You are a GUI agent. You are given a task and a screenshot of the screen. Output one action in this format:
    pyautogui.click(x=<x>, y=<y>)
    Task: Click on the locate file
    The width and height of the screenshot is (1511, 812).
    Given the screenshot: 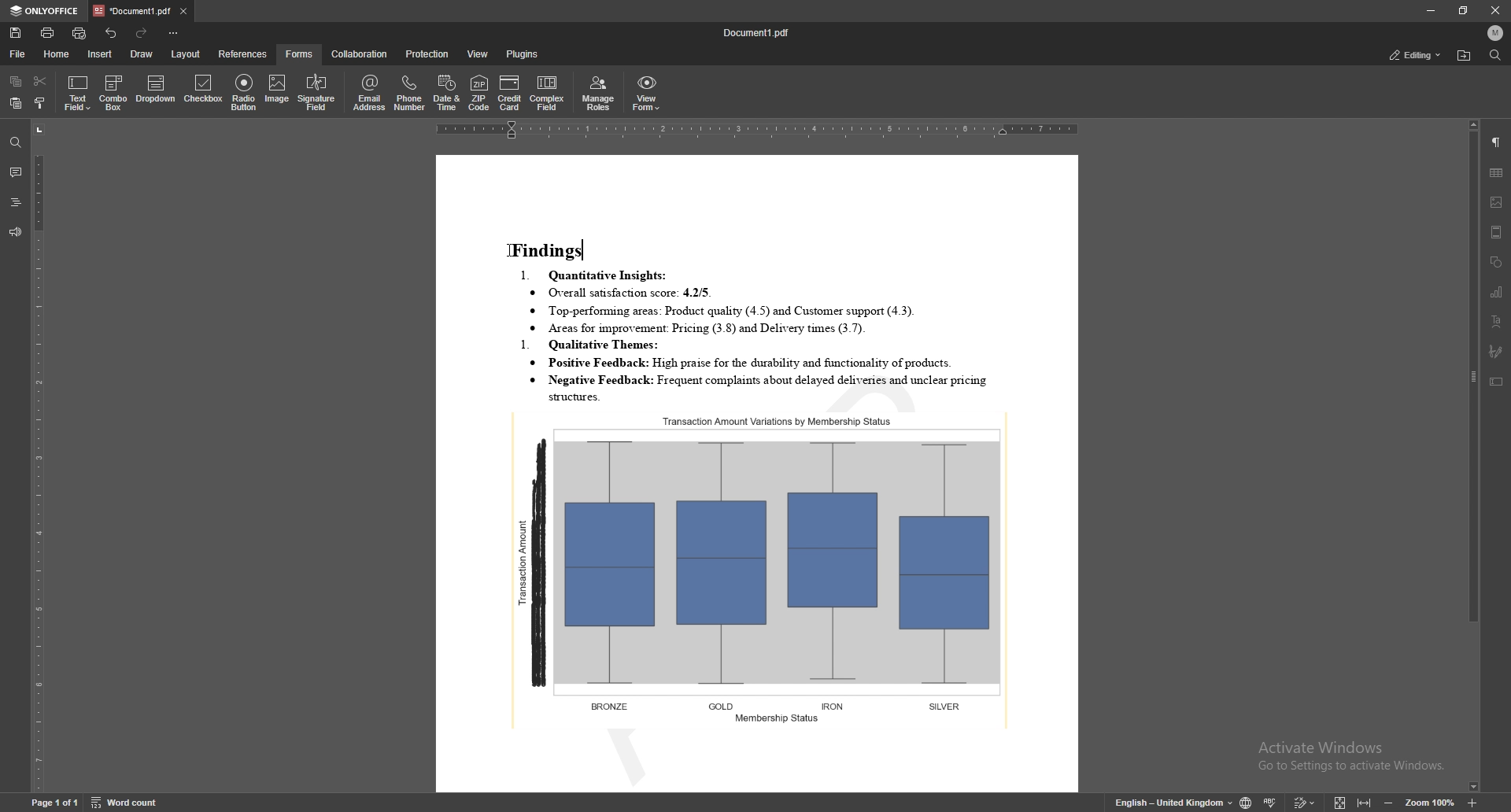 What is the action you would take?
    pyautogui.click(x=1464, y=57)
    